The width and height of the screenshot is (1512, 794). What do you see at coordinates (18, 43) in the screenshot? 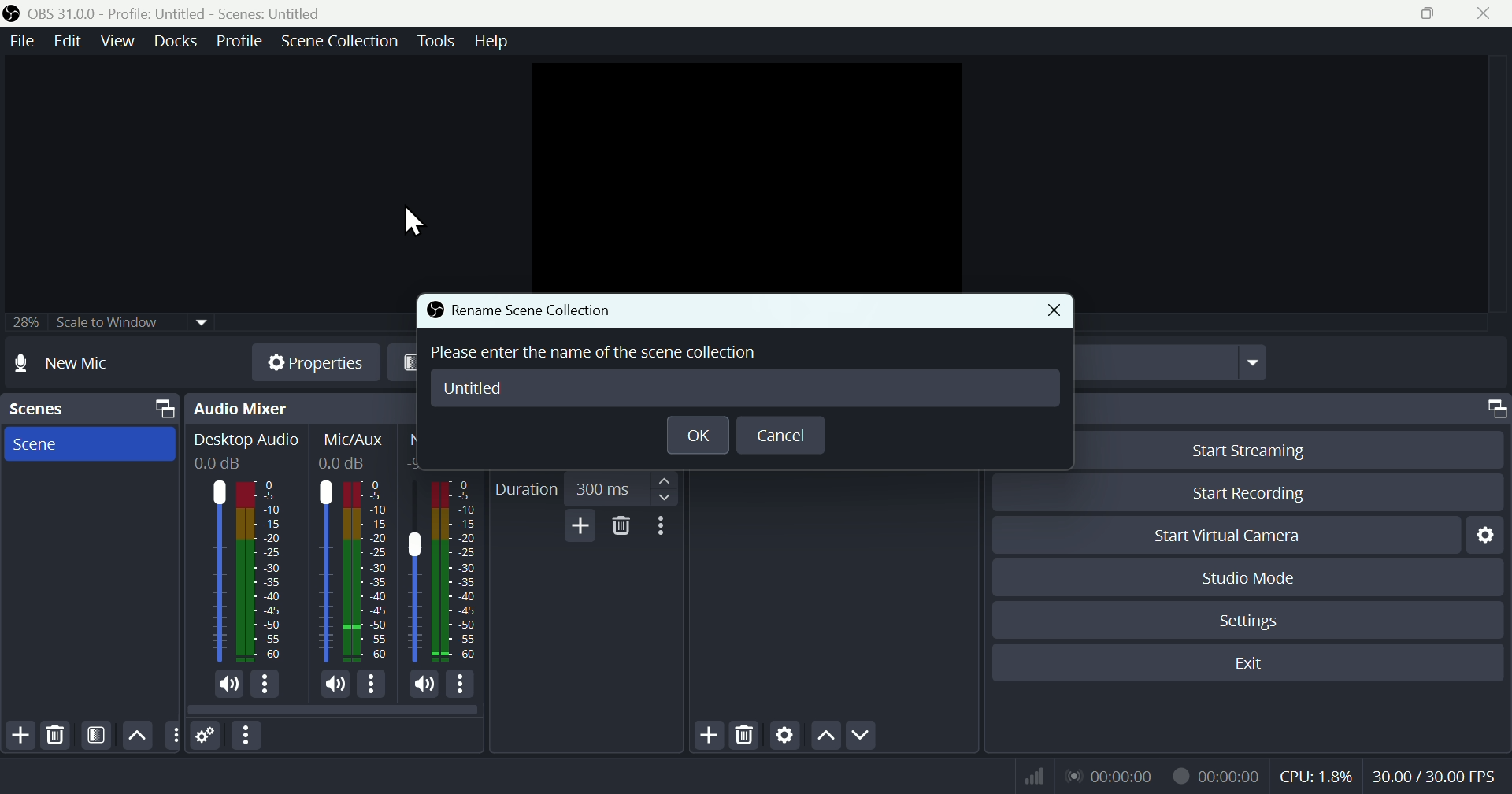
I see `File ` at bounding box center [18, 43].